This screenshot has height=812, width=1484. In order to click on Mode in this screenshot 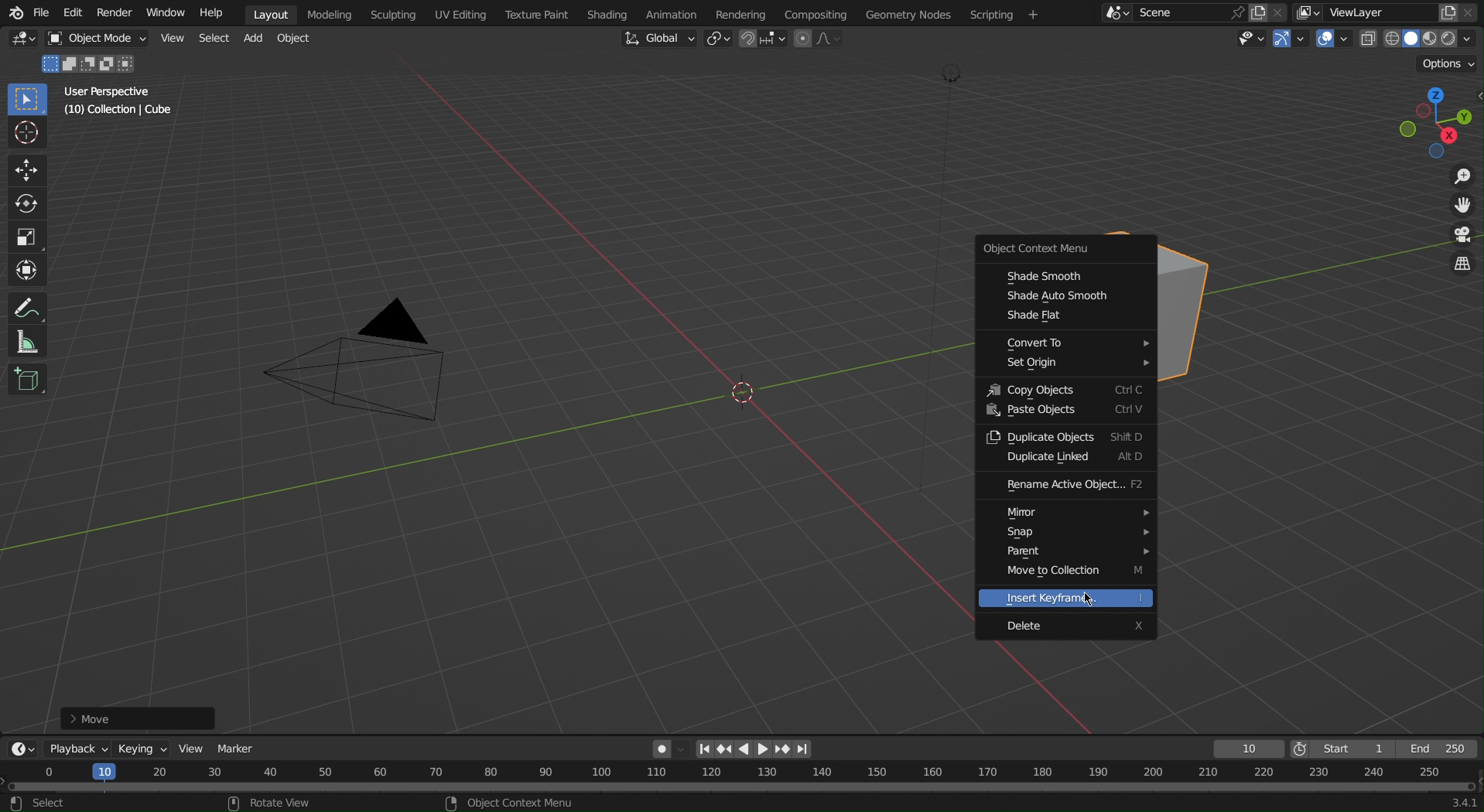, I will do `click(91, 65)`.